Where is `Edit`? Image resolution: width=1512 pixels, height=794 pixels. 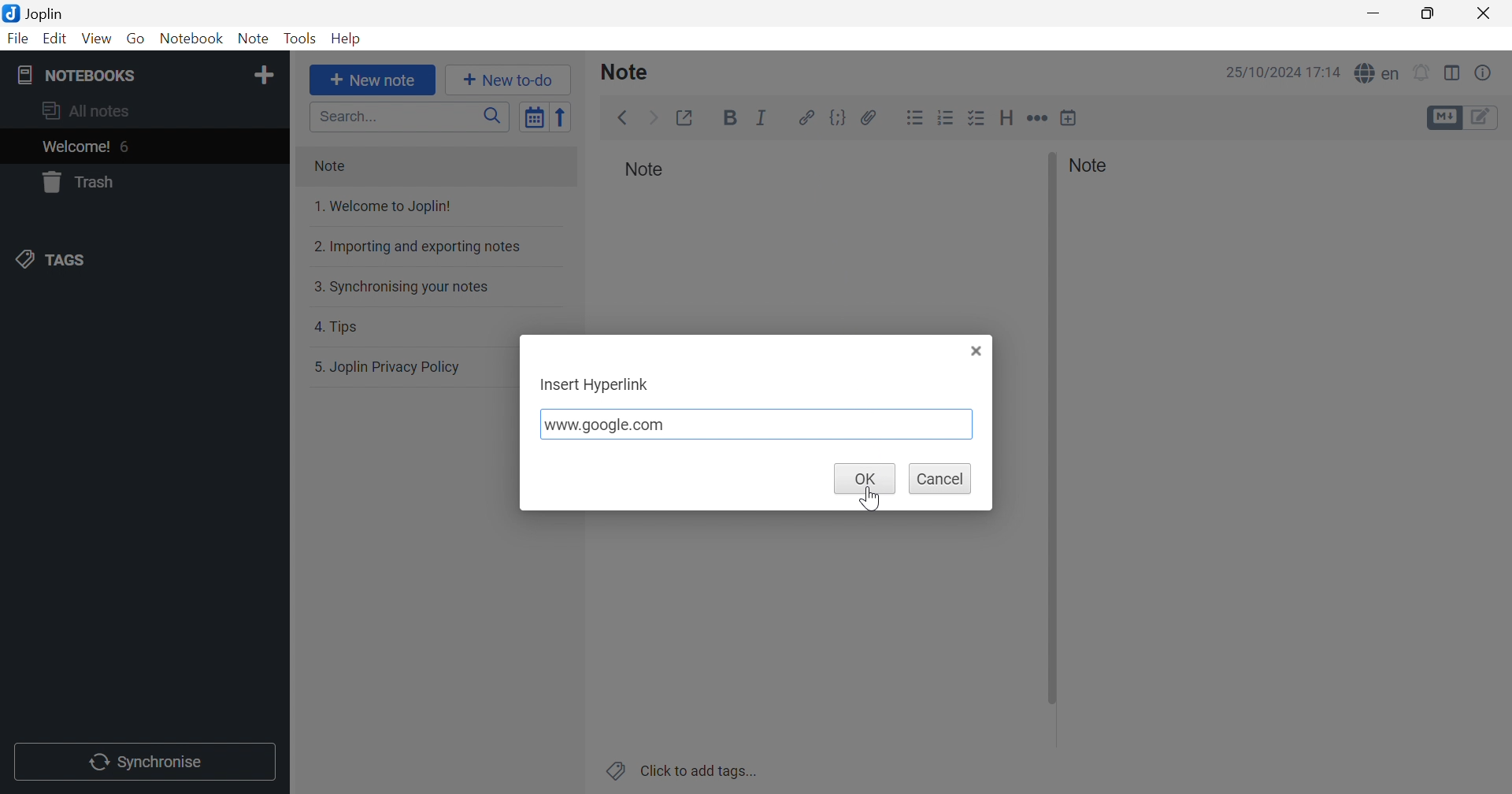
Edit is located at coordinates (56, 39).